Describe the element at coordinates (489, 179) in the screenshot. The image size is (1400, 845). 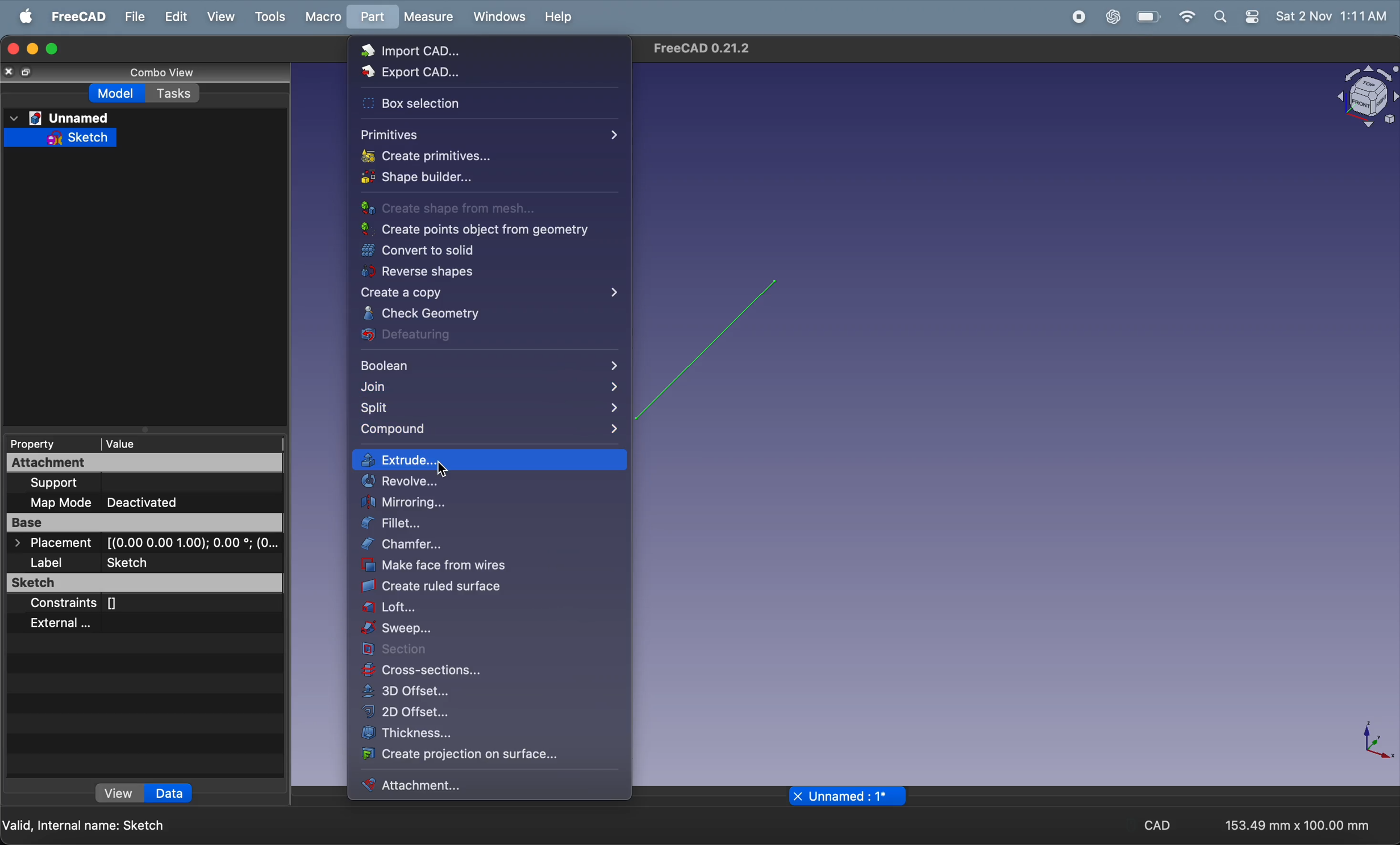
I see `shape builder...` at that location.